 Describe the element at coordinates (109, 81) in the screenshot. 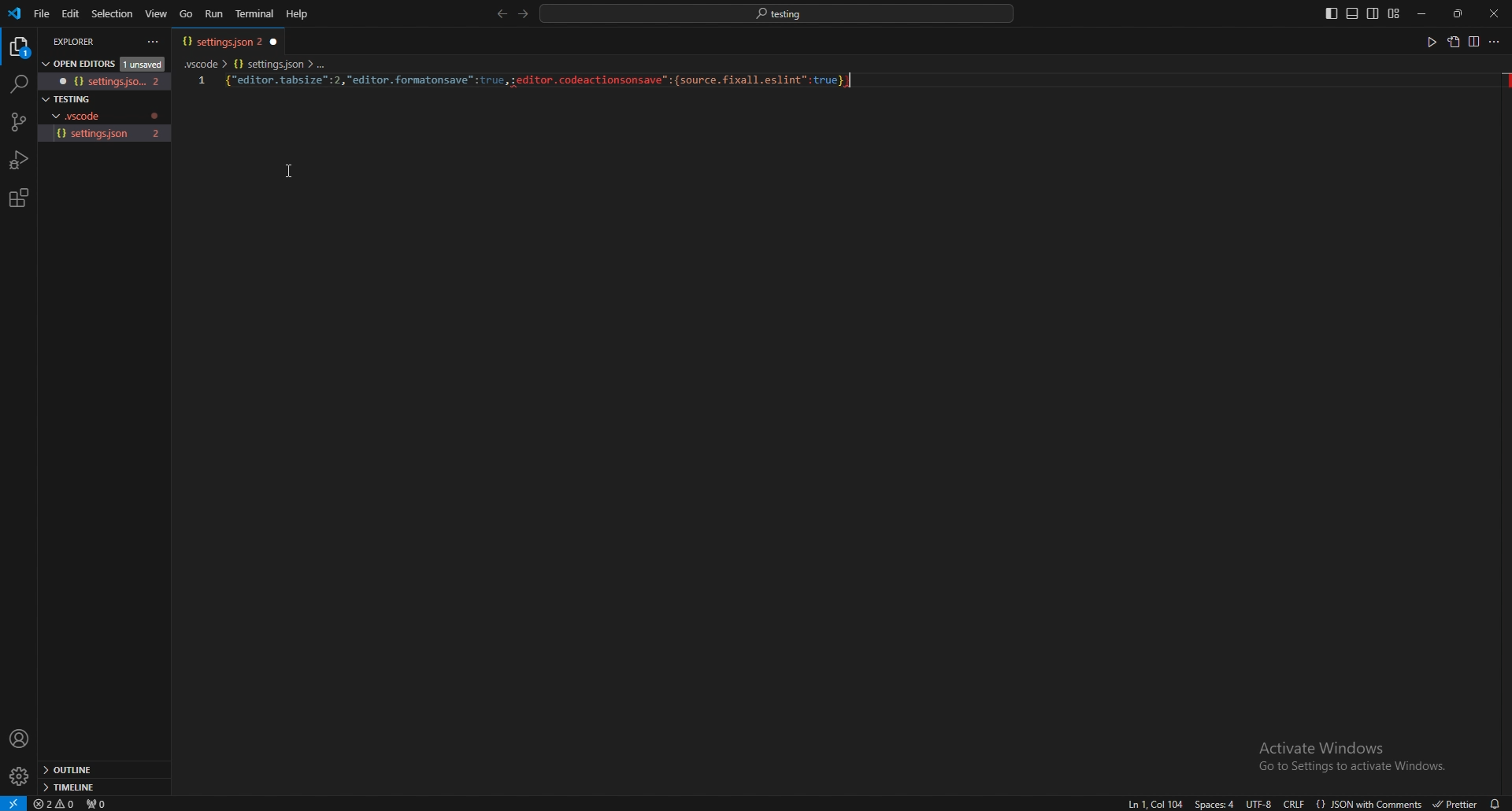

I see `file` at that location.